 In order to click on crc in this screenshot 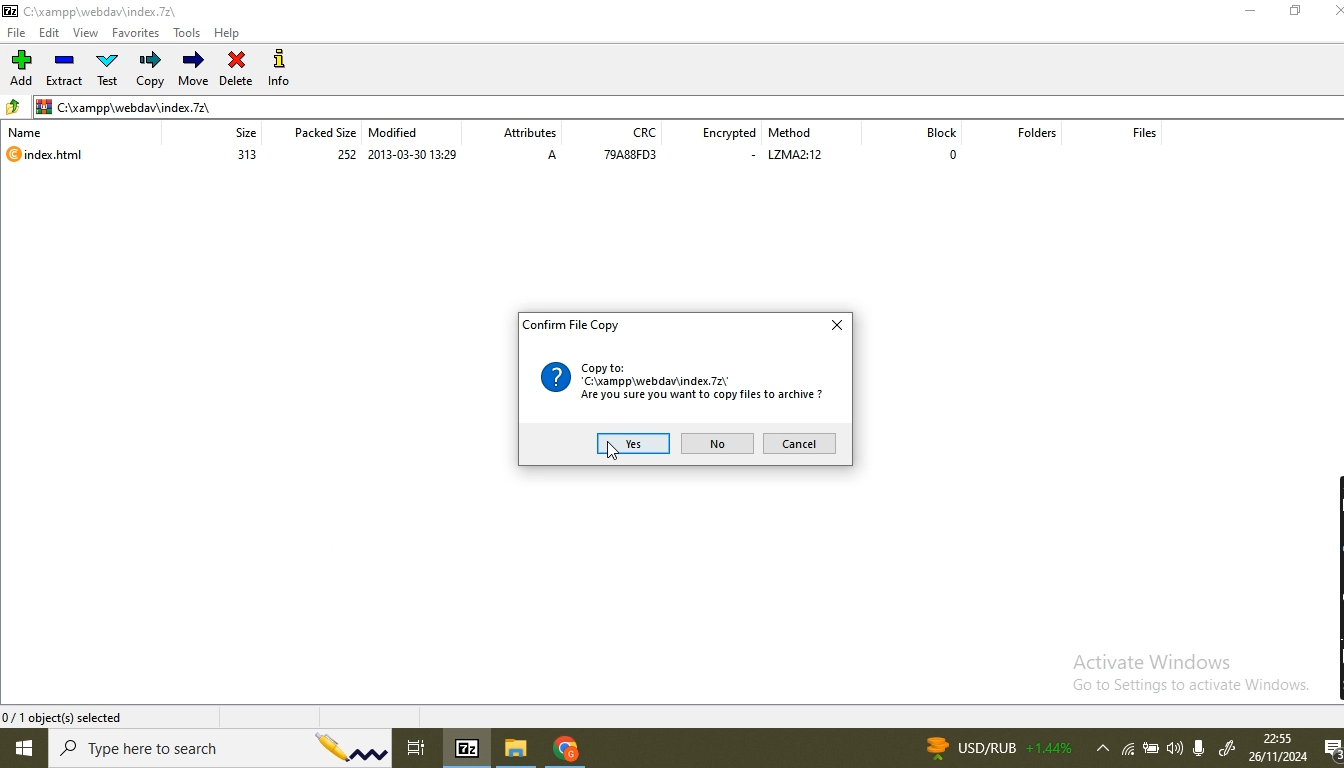, I will do `click(645, 133)`.